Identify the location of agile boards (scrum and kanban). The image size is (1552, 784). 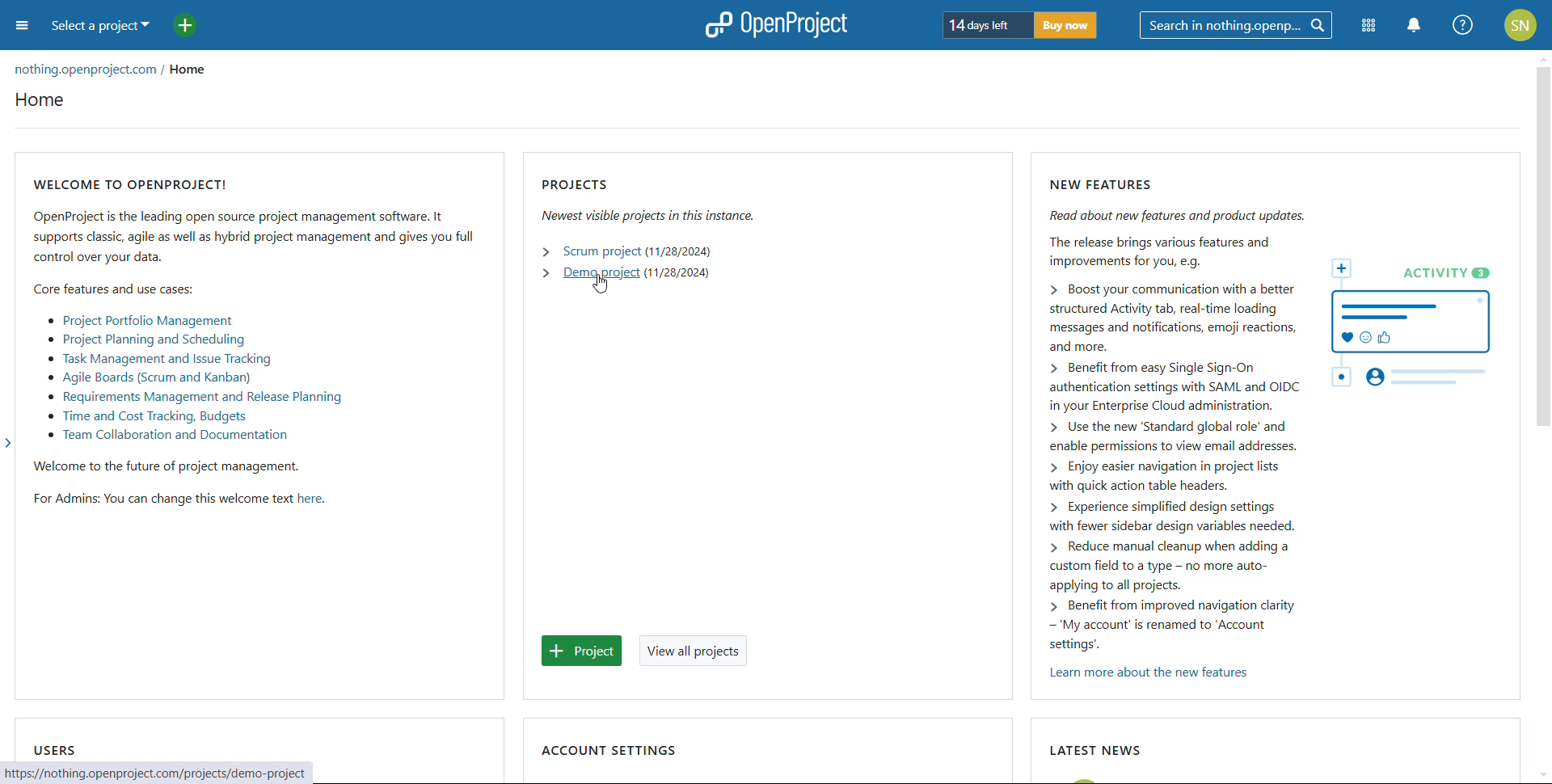
(148, 378).